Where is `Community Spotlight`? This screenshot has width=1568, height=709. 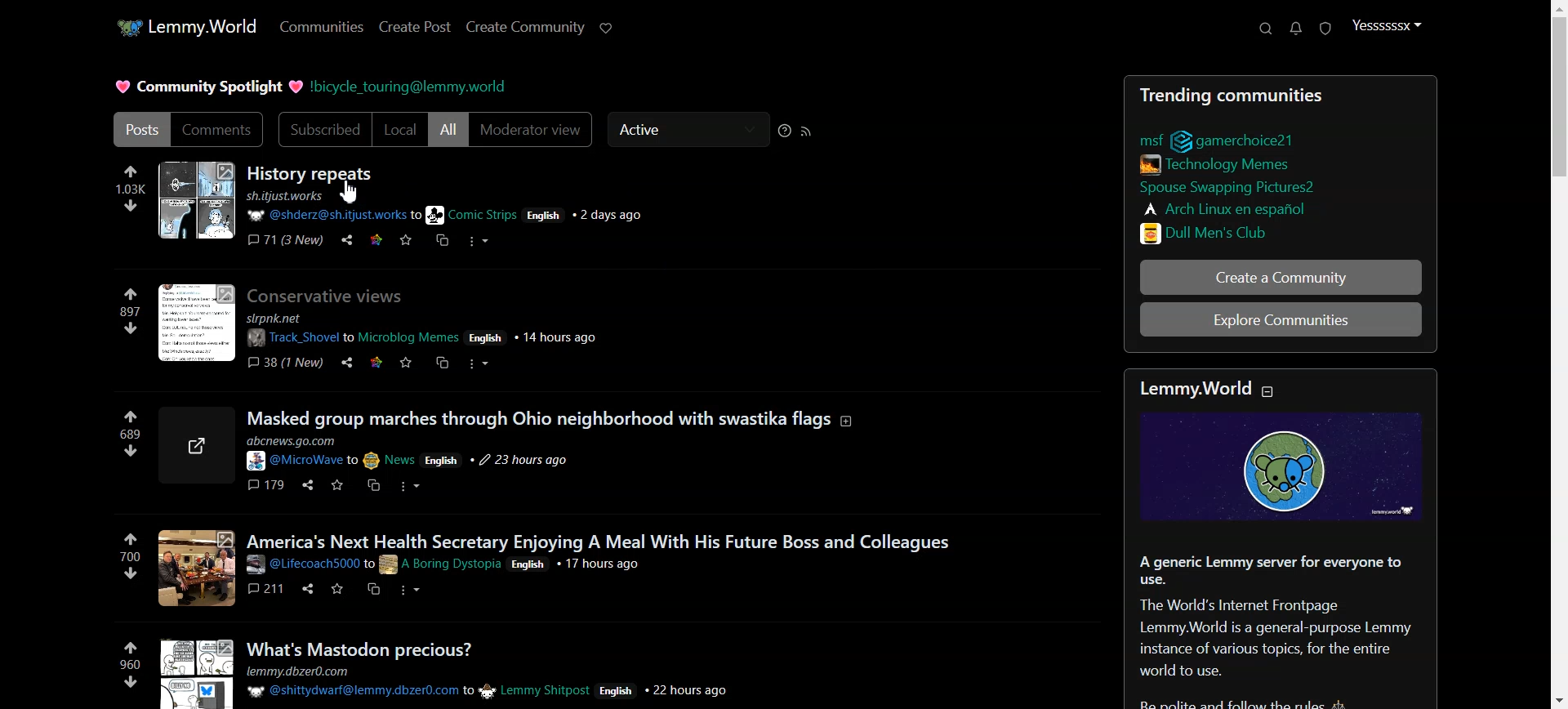
Community Spotlight is located at coordinates (209, 86).